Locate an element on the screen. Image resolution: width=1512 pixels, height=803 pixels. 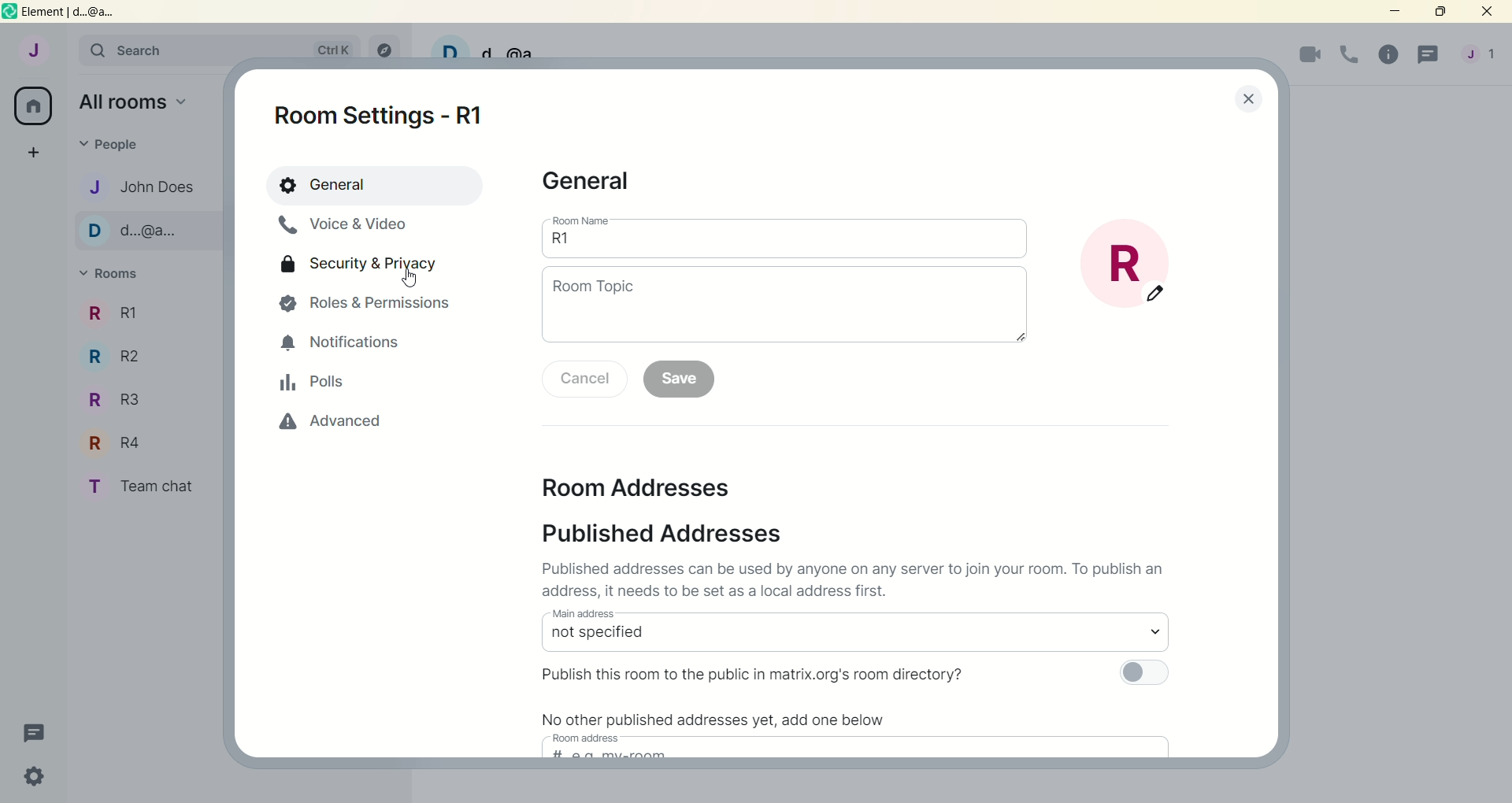
room title is located at coordinates (1140, 268).